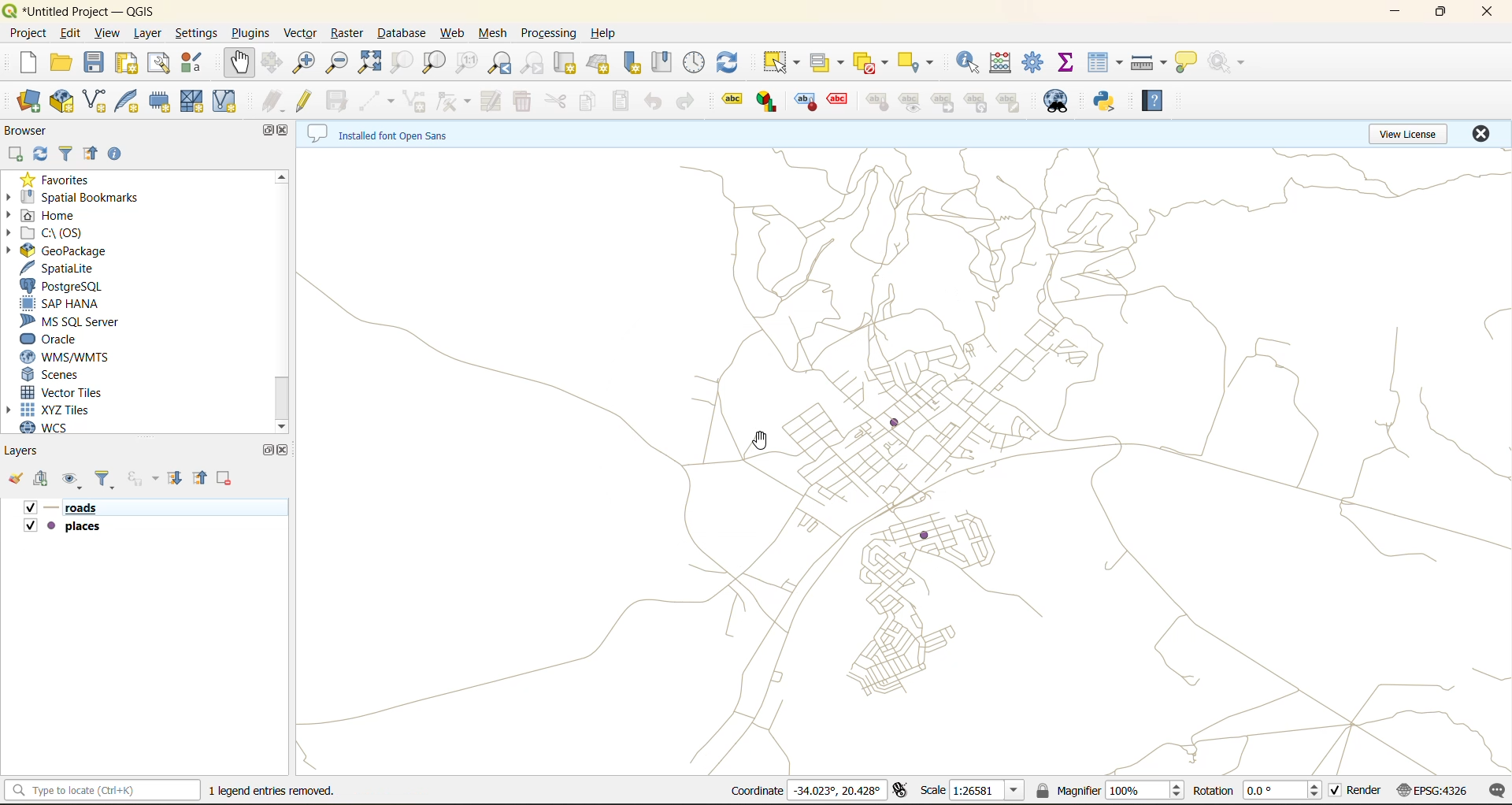 Image resolution: width=1512 pixels, height=805 pixels. Describe the element at coordinates (80, 234) in the screenshot. I see `c\:os` at that location.